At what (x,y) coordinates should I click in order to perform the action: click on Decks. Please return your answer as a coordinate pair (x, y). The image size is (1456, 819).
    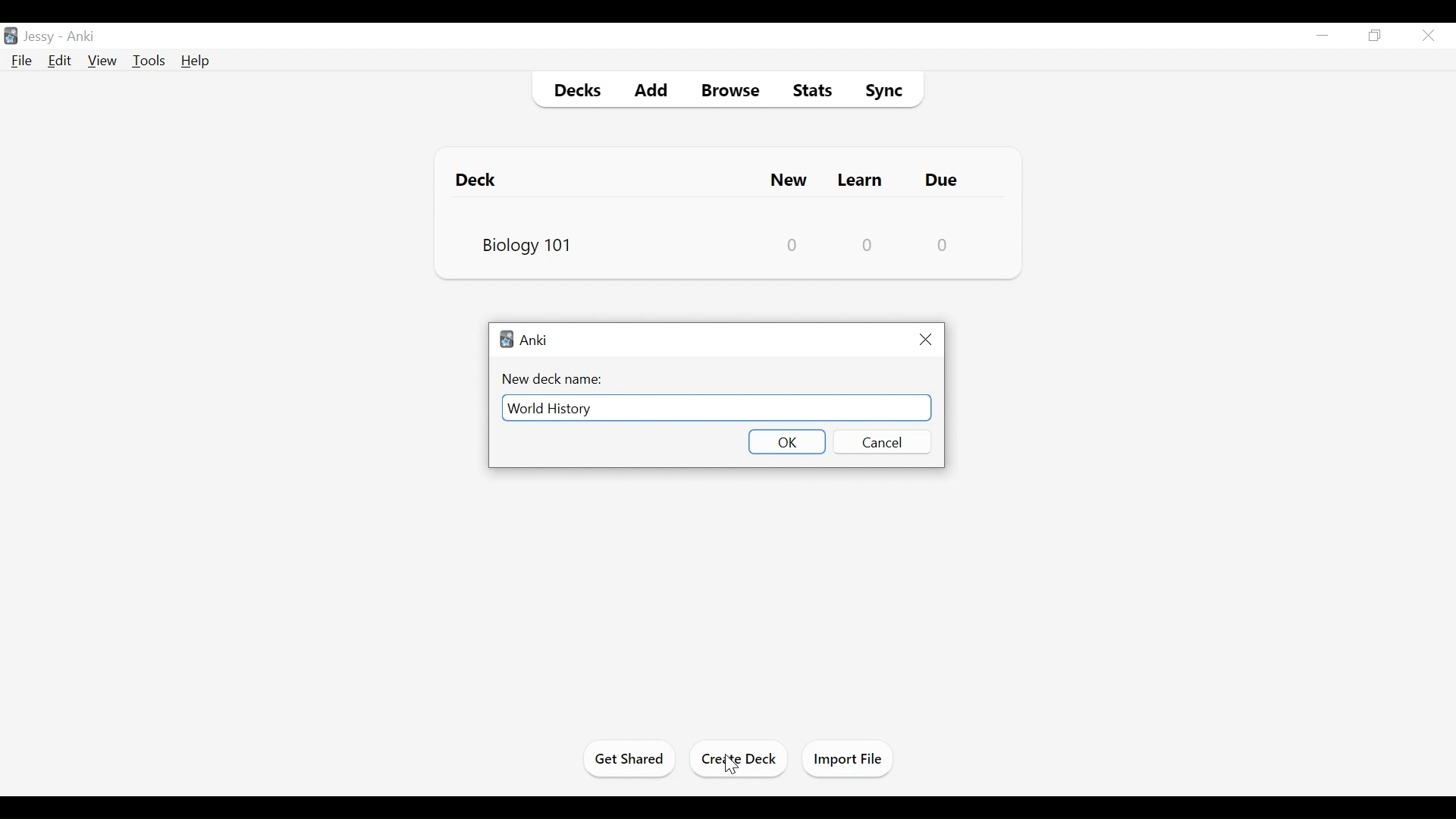
    Looking at the image, I should click on (573, 89).